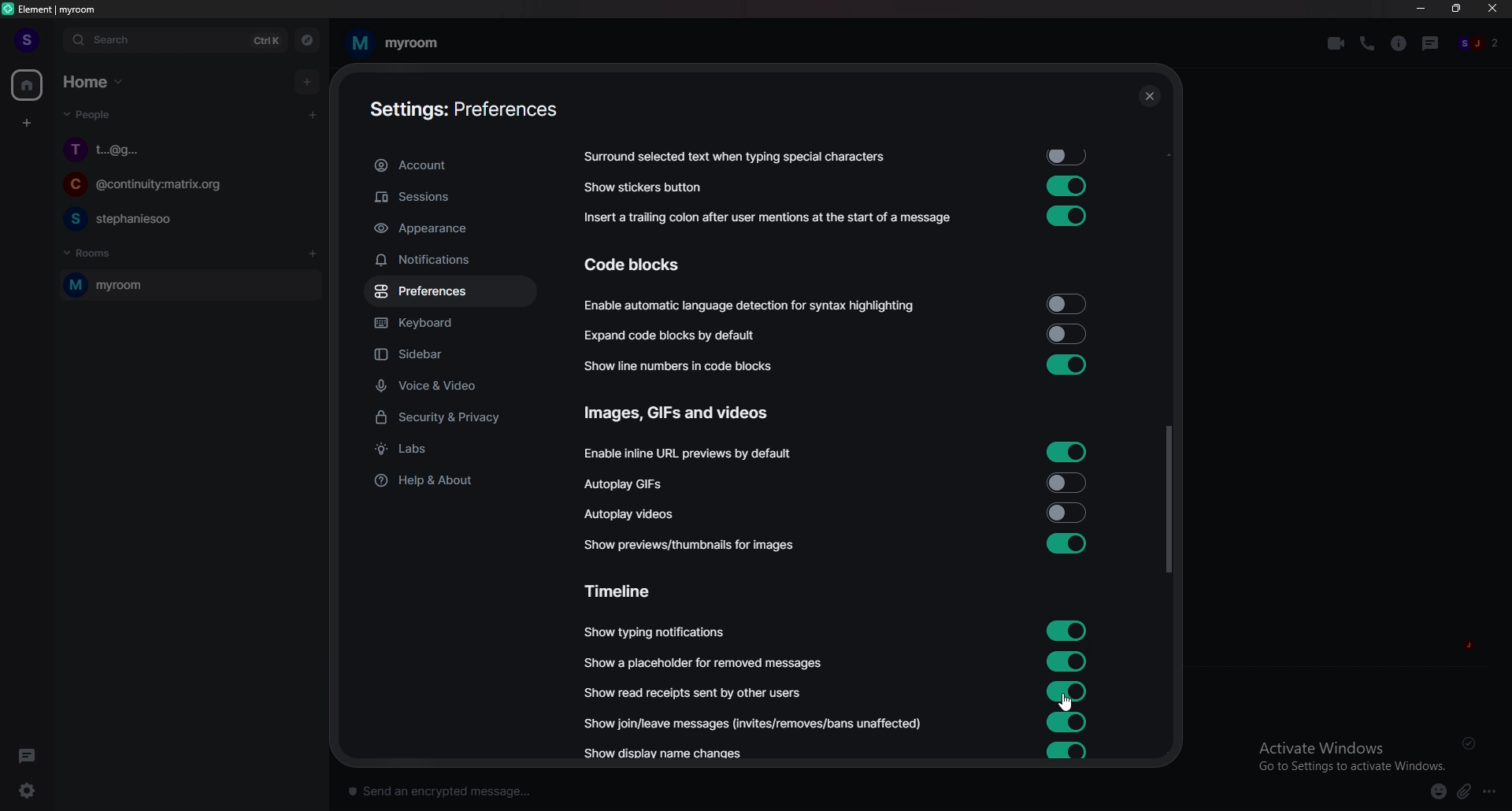  What do you see at coordinates (1064, 334) in the screenshot?
I see `toggle` at bounding box center [1064, 334].